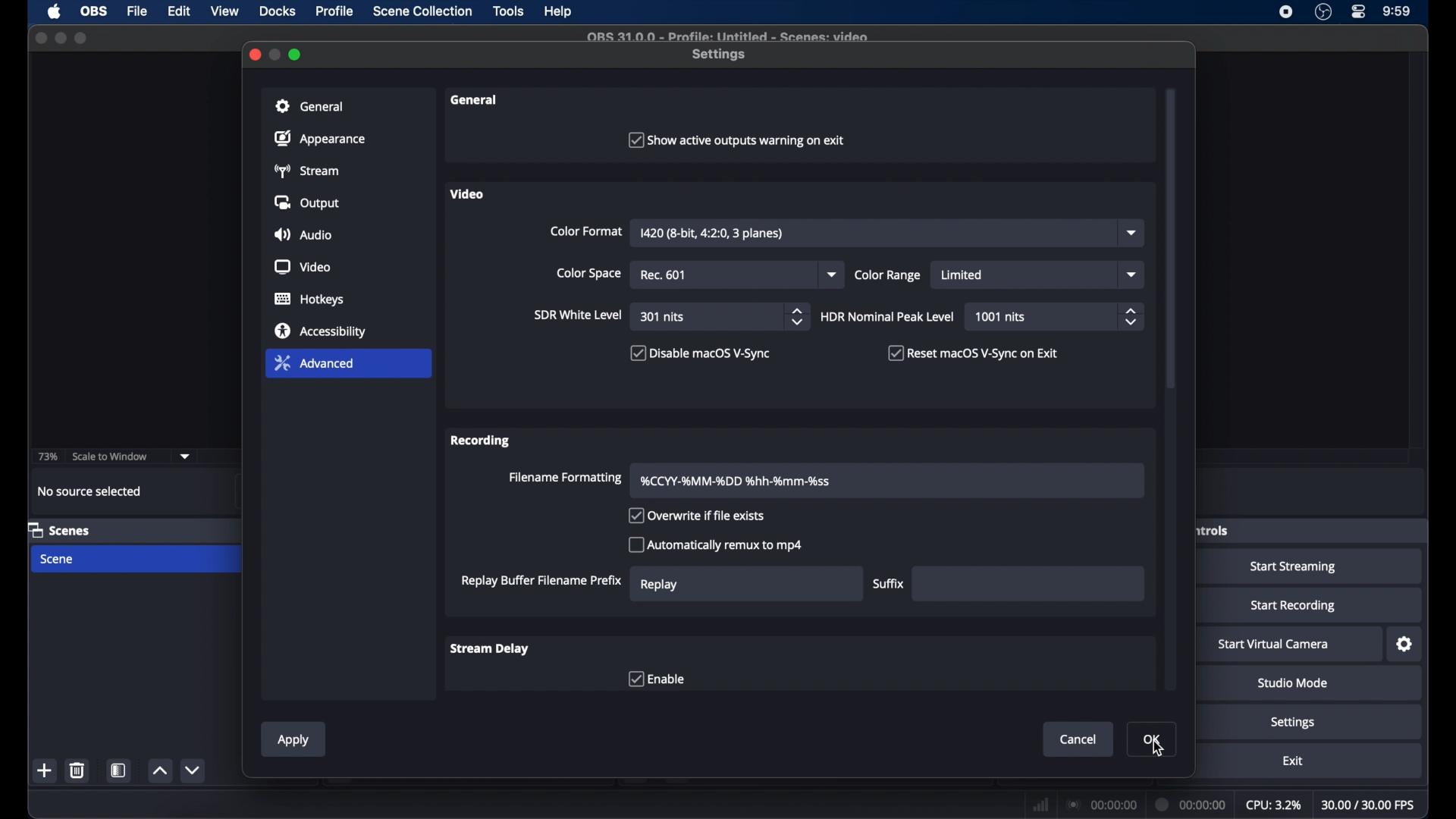  What do you see at coordinates (314, 362) in the screenshot?
I see `advanced` at bounding box center [314, 362].